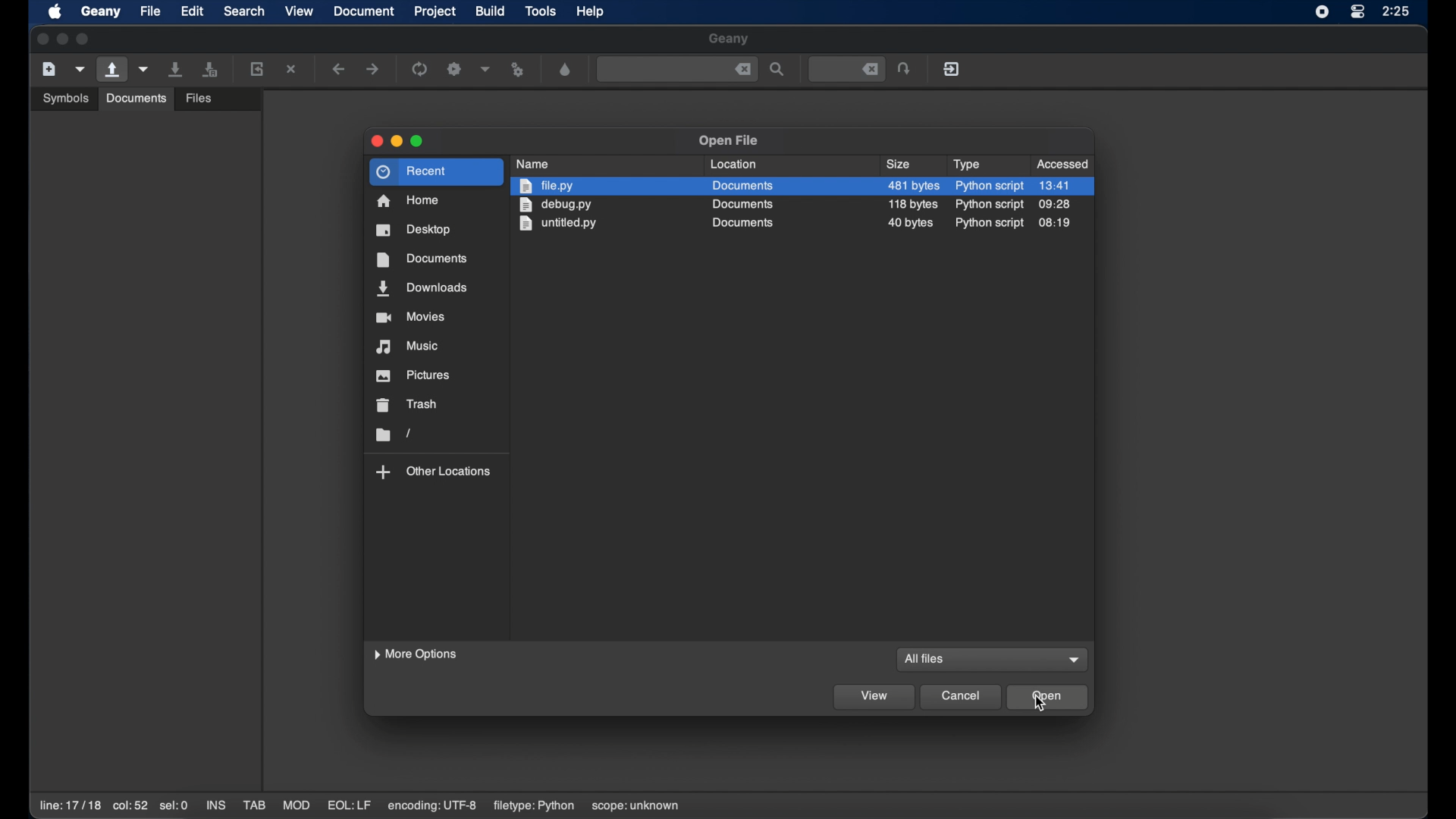 Image resolution: width=1456 pixels, height=819 pixels. Describe the element at coordinates (292, 69) in the screenshot. I see `close the current file` at that location.